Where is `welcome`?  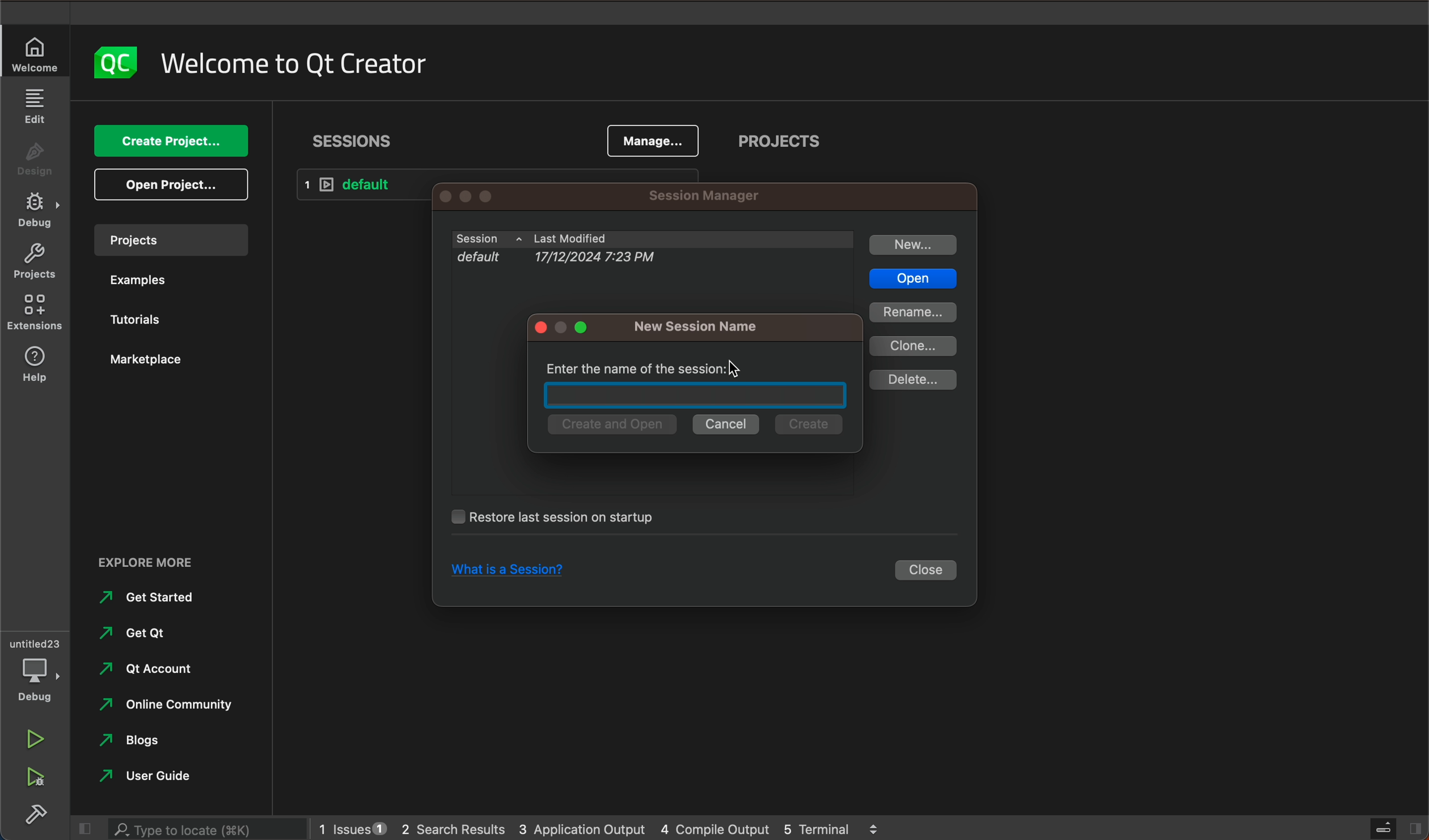 welcome is located at coordinates (295, 63).